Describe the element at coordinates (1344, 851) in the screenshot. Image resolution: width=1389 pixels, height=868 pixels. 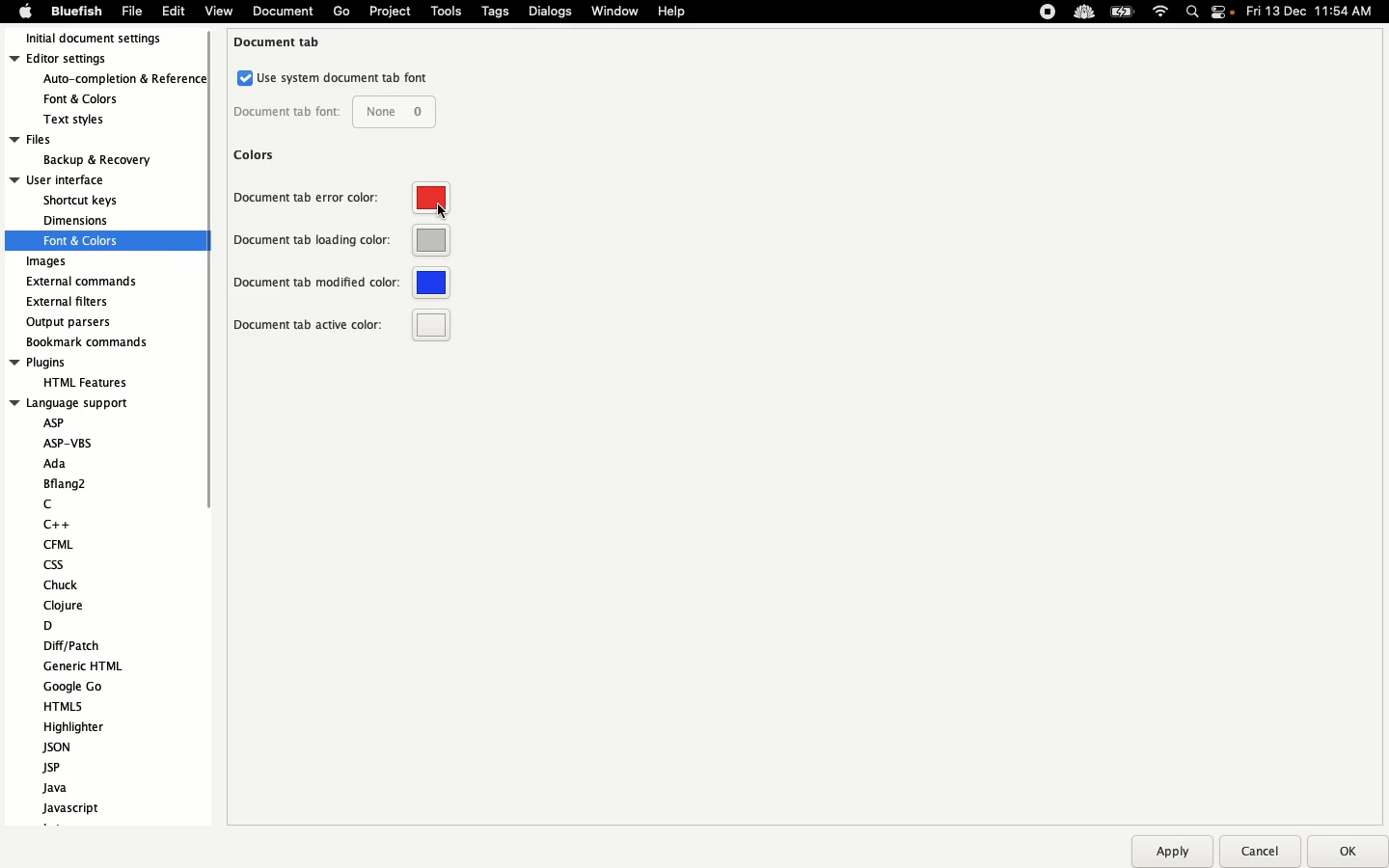
I see `Ok` at that location.